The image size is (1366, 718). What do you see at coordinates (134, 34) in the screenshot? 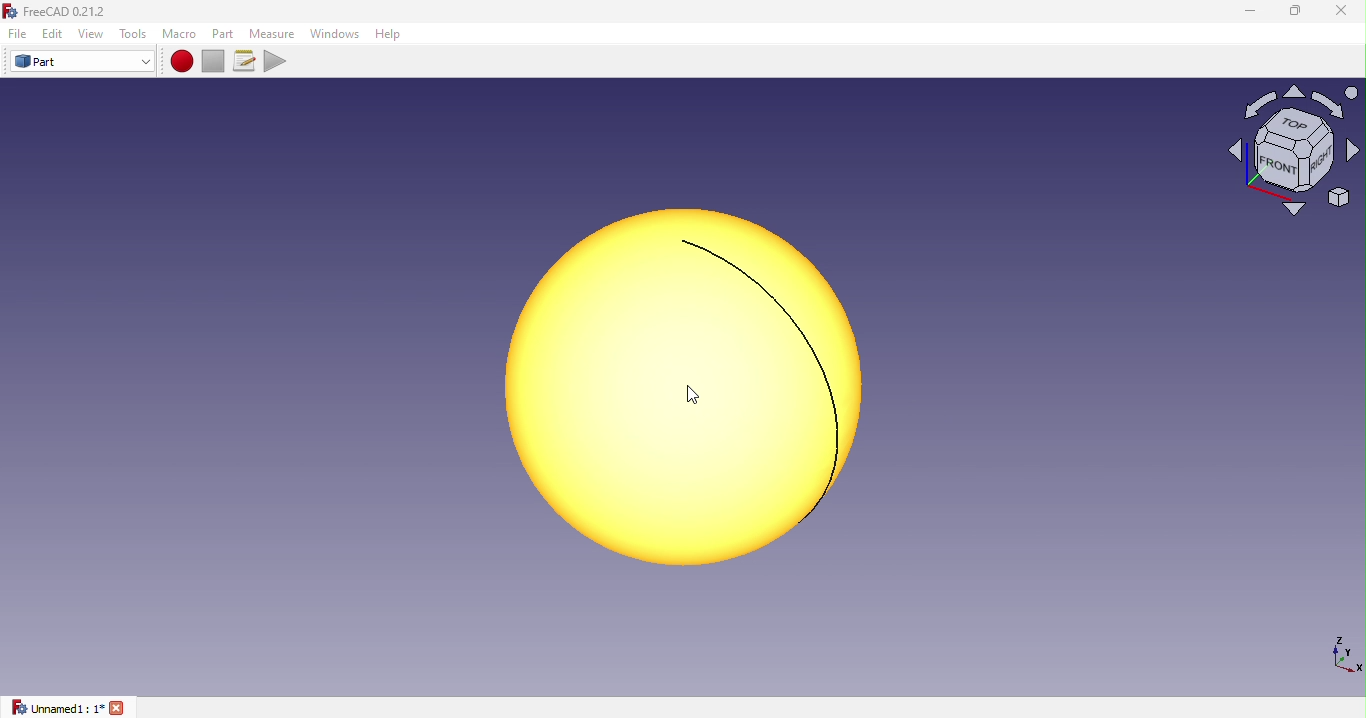
I see `Tools` at bounding box center [134, 34].